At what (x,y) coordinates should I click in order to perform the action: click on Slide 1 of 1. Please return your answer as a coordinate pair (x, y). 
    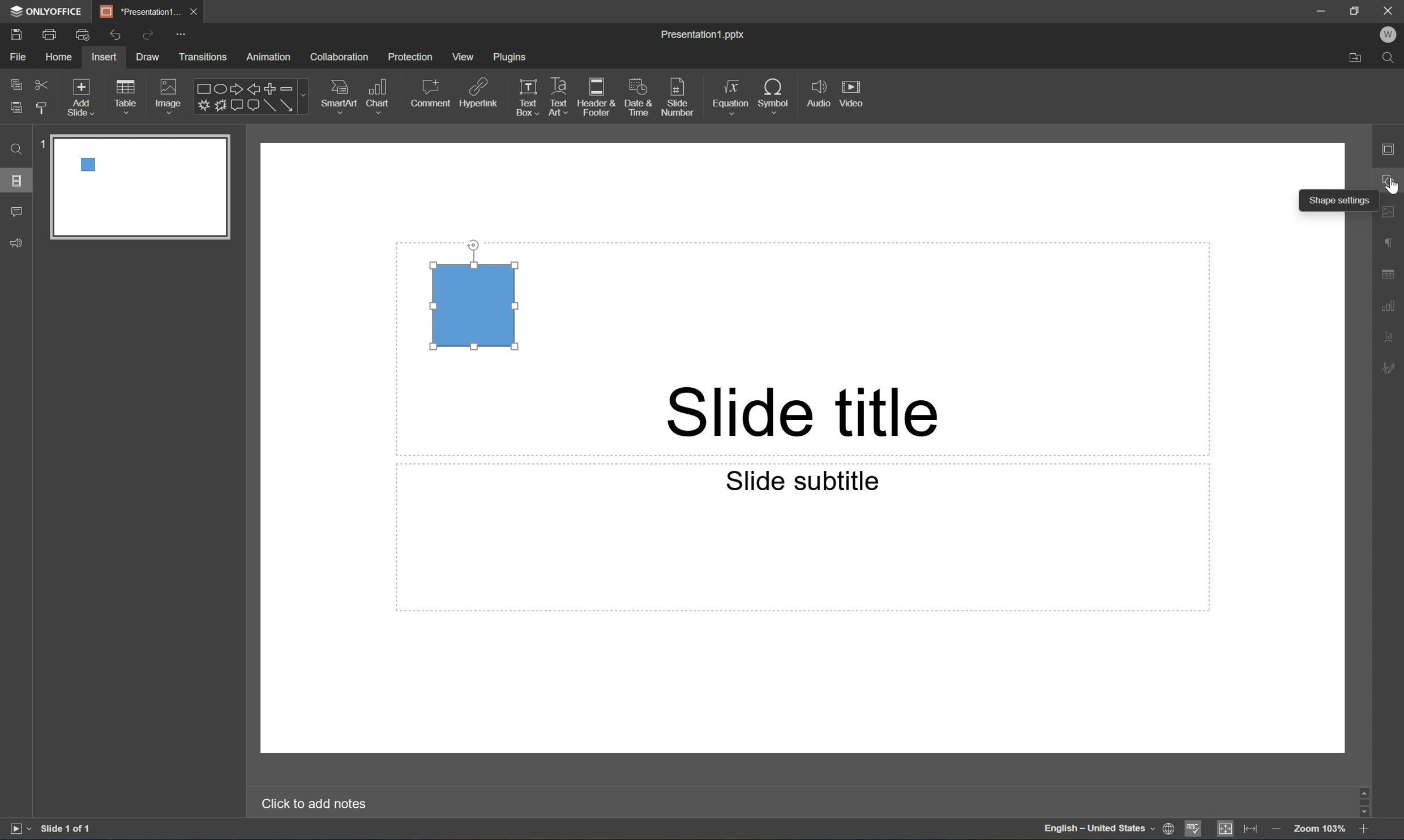
    Looking at the image, I should click on (67, 828).